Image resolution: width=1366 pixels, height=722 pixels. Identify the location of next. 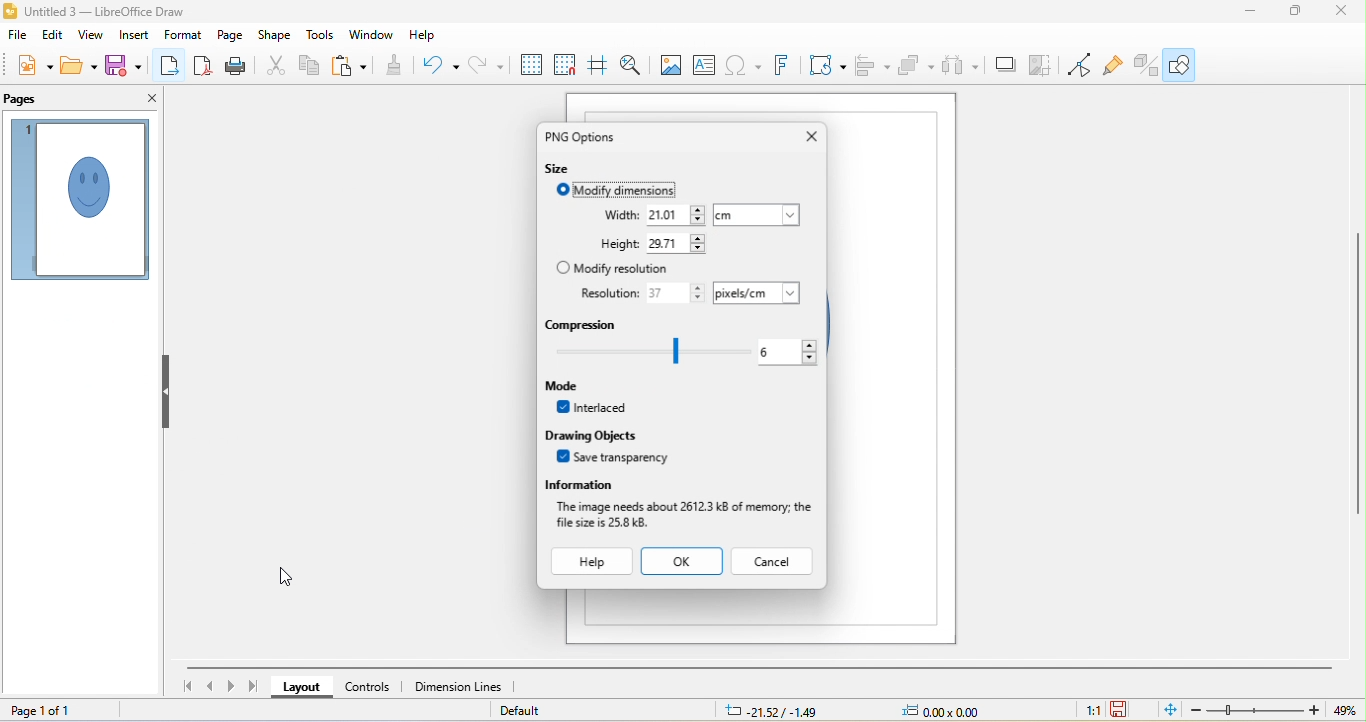
(231, 687).